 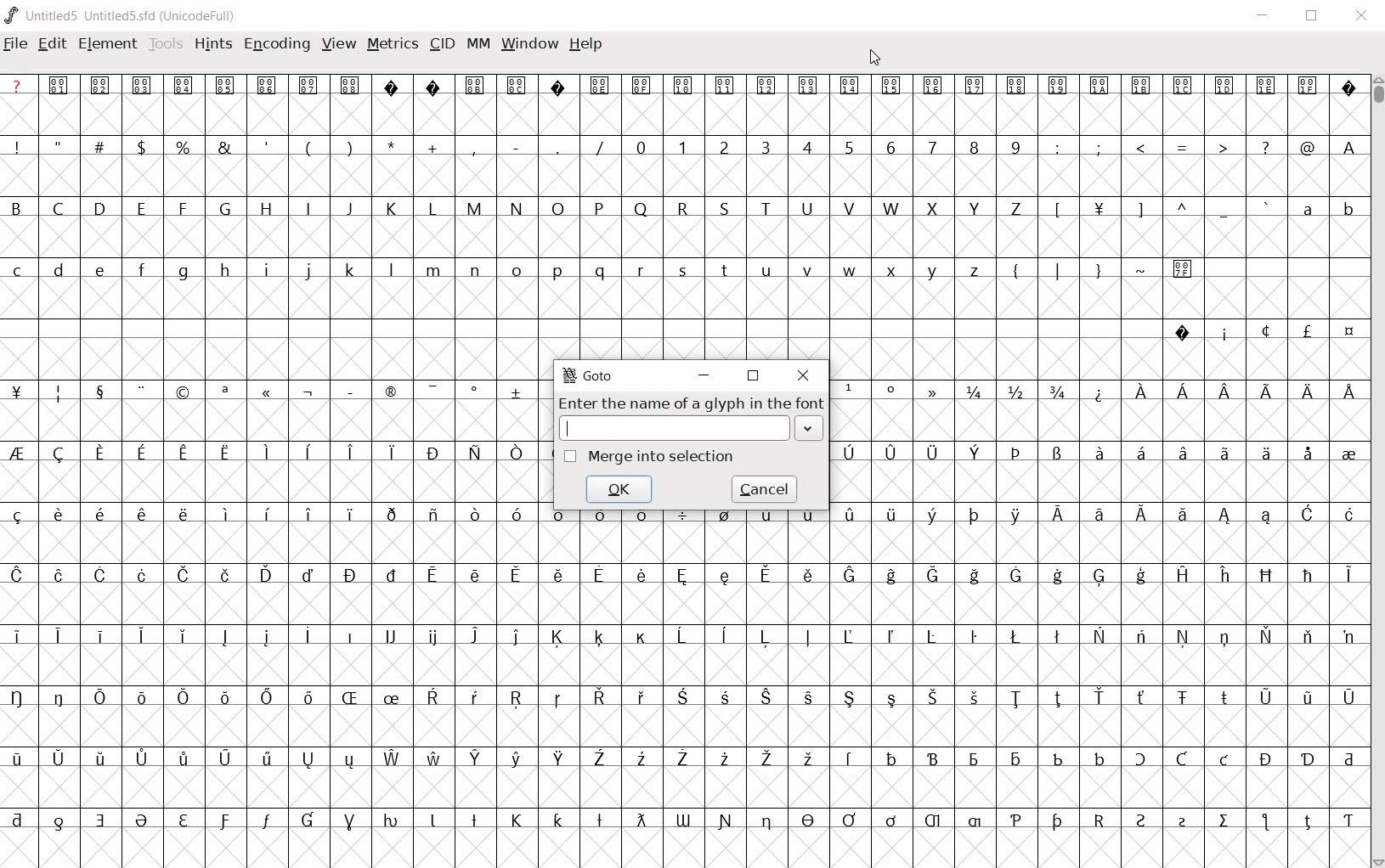 I want to click on Symbol, so click(x=141, y=454).